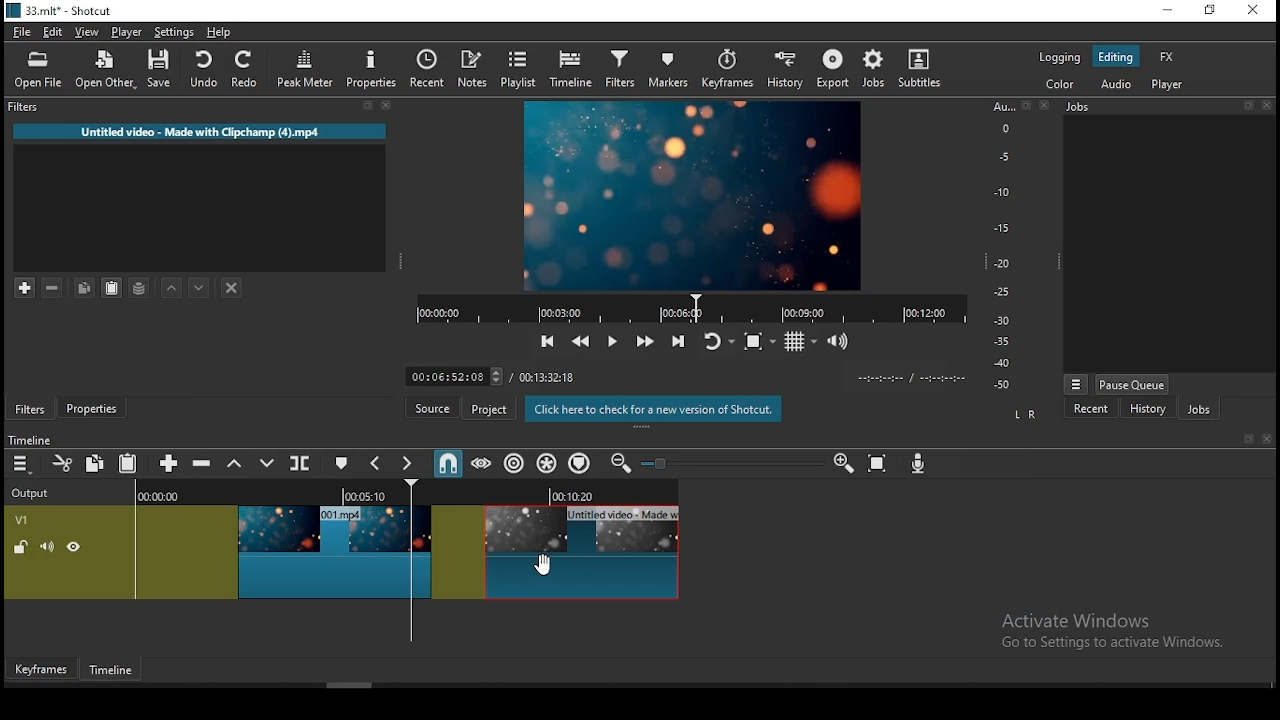  What do you see at coordinates (831, 69) in the screenshot?
I see `export` at bounding box center [831, 69].